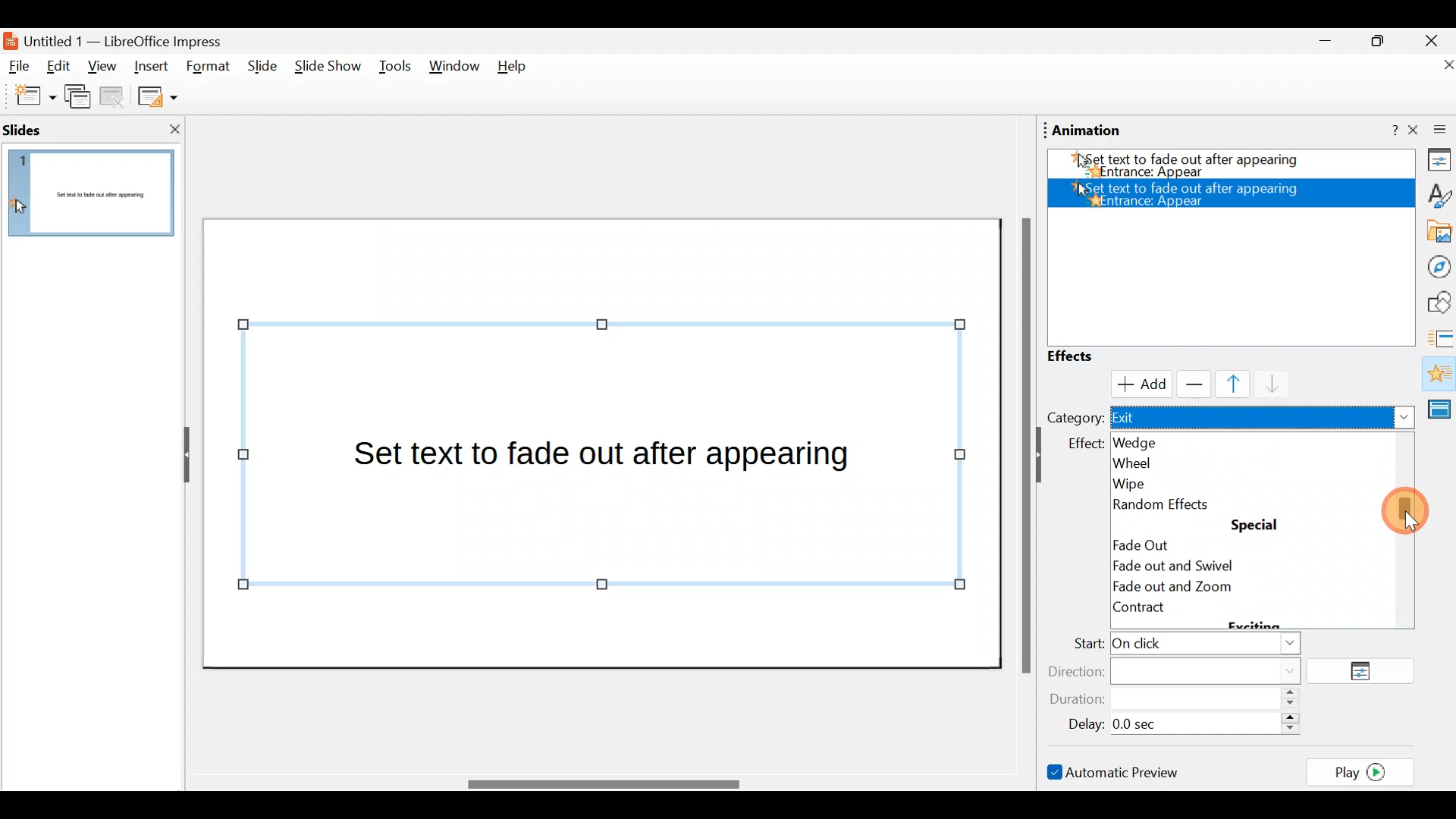  What do you see at coordinates (1191, 384) in the screenshot?
I see `Remove effect` at bounding box center [1191, 384].